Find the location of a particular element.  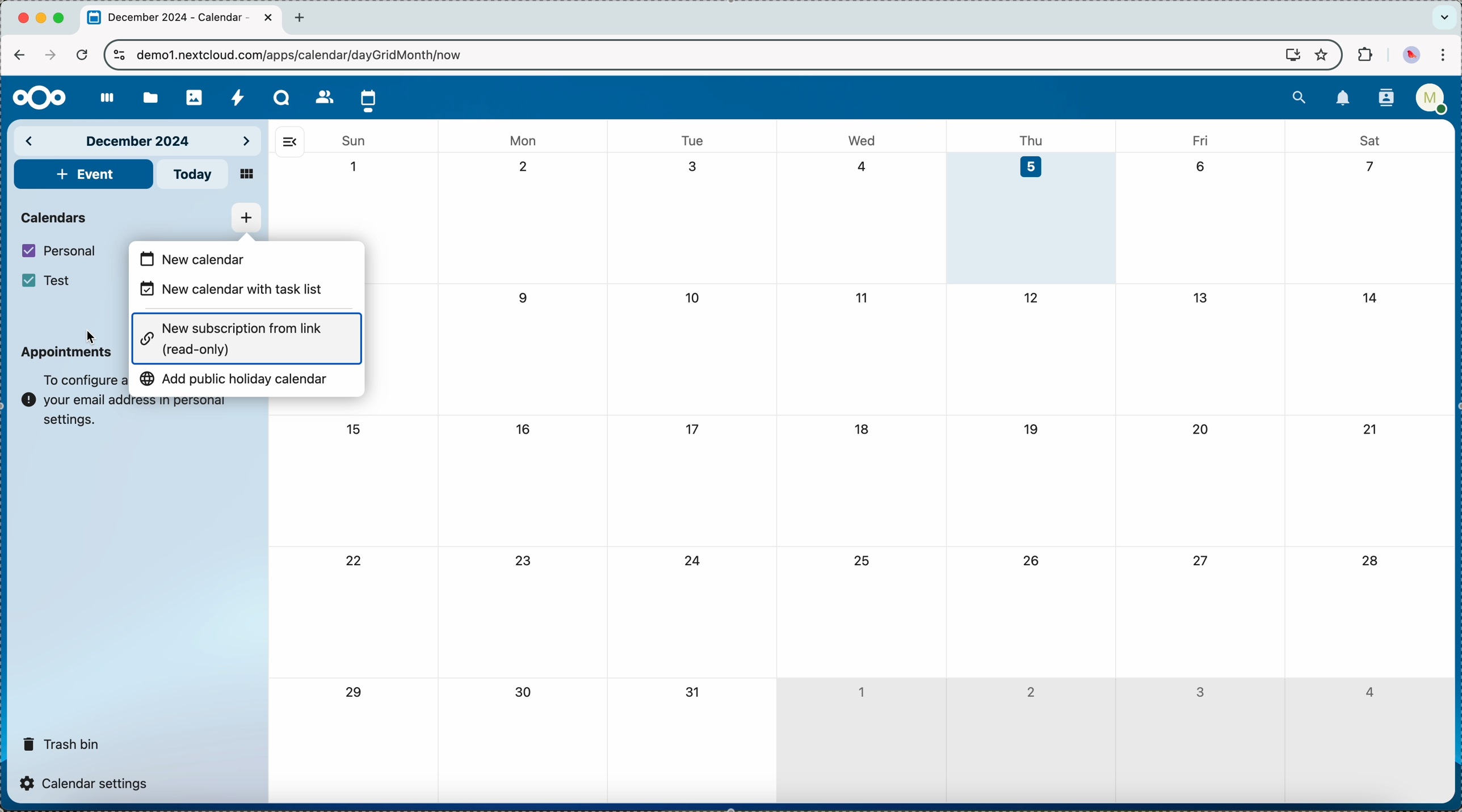

7 is located at coordinates (1365, 167).